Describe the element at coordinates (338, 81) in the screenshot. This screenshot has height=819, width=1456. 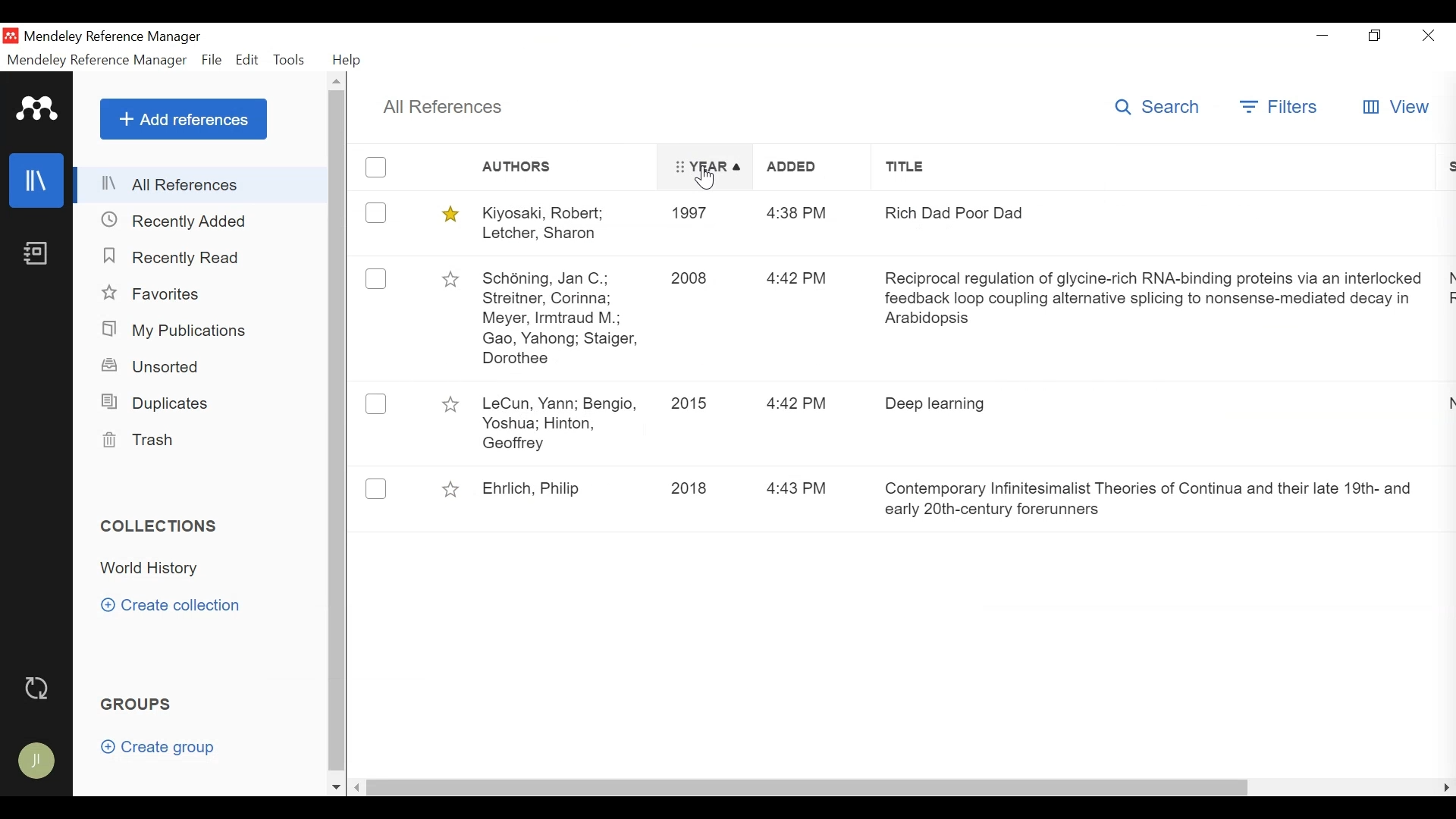
I see `Scroll up` at that location.